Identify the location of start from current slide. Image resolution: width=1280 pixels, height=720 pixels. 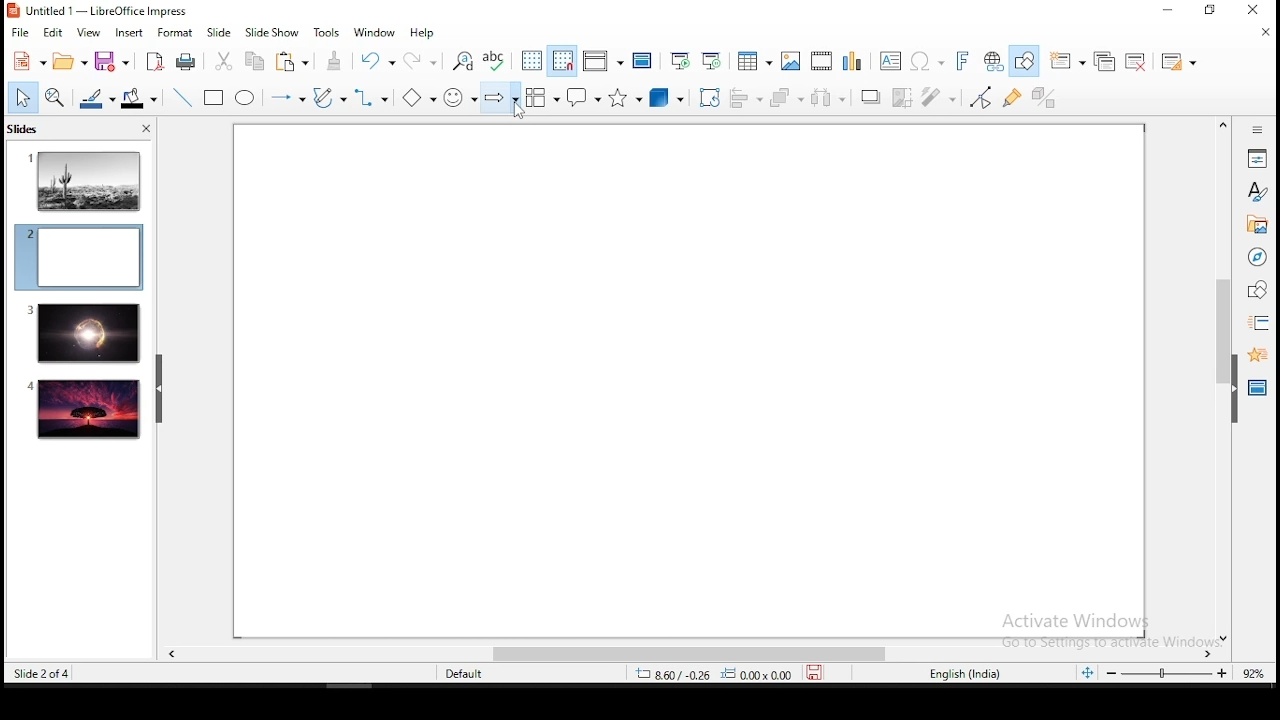
(713, 60).